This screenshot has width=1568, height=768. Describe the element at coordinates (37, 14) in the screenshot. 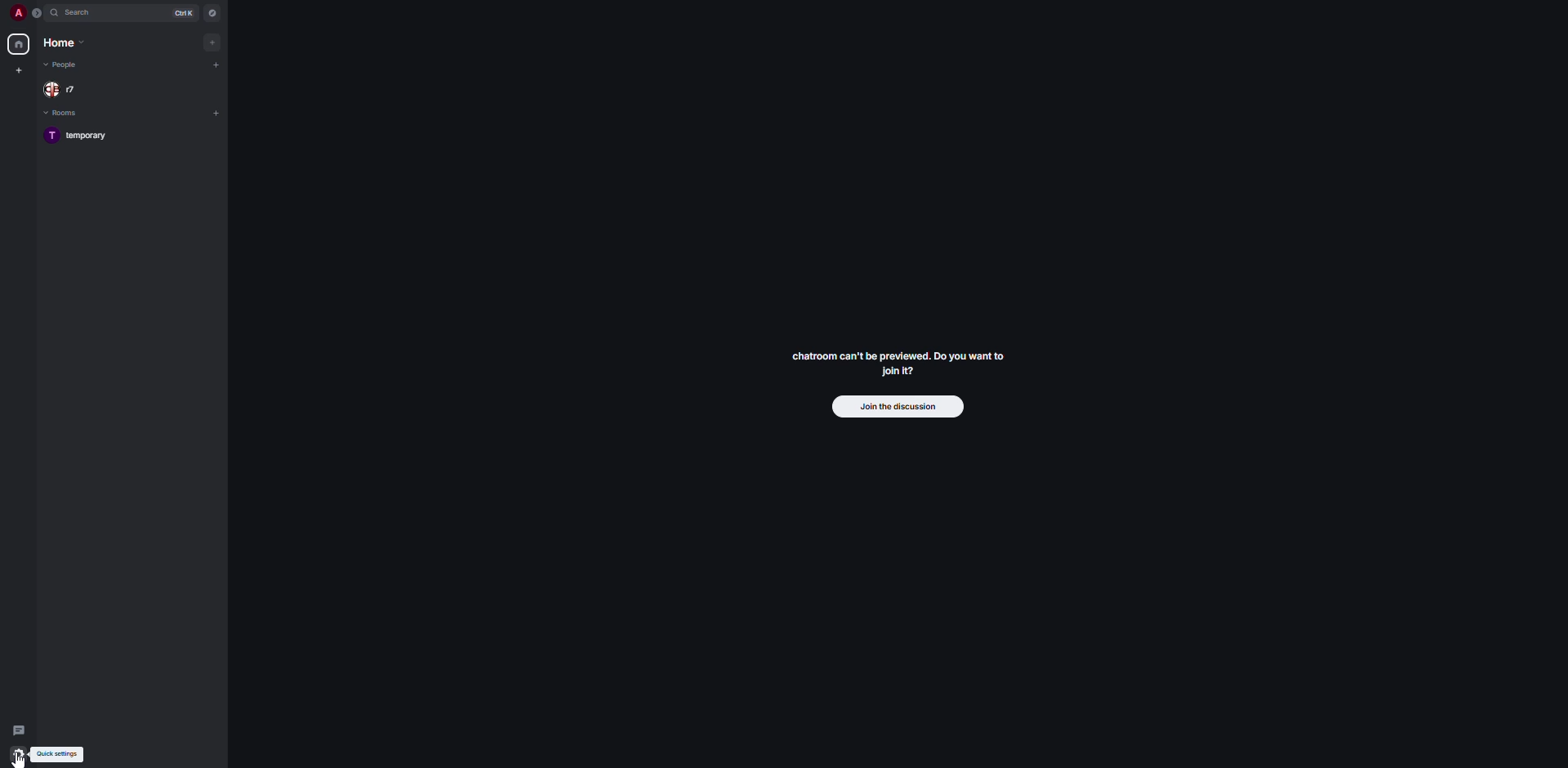

I see `expand` at that location.